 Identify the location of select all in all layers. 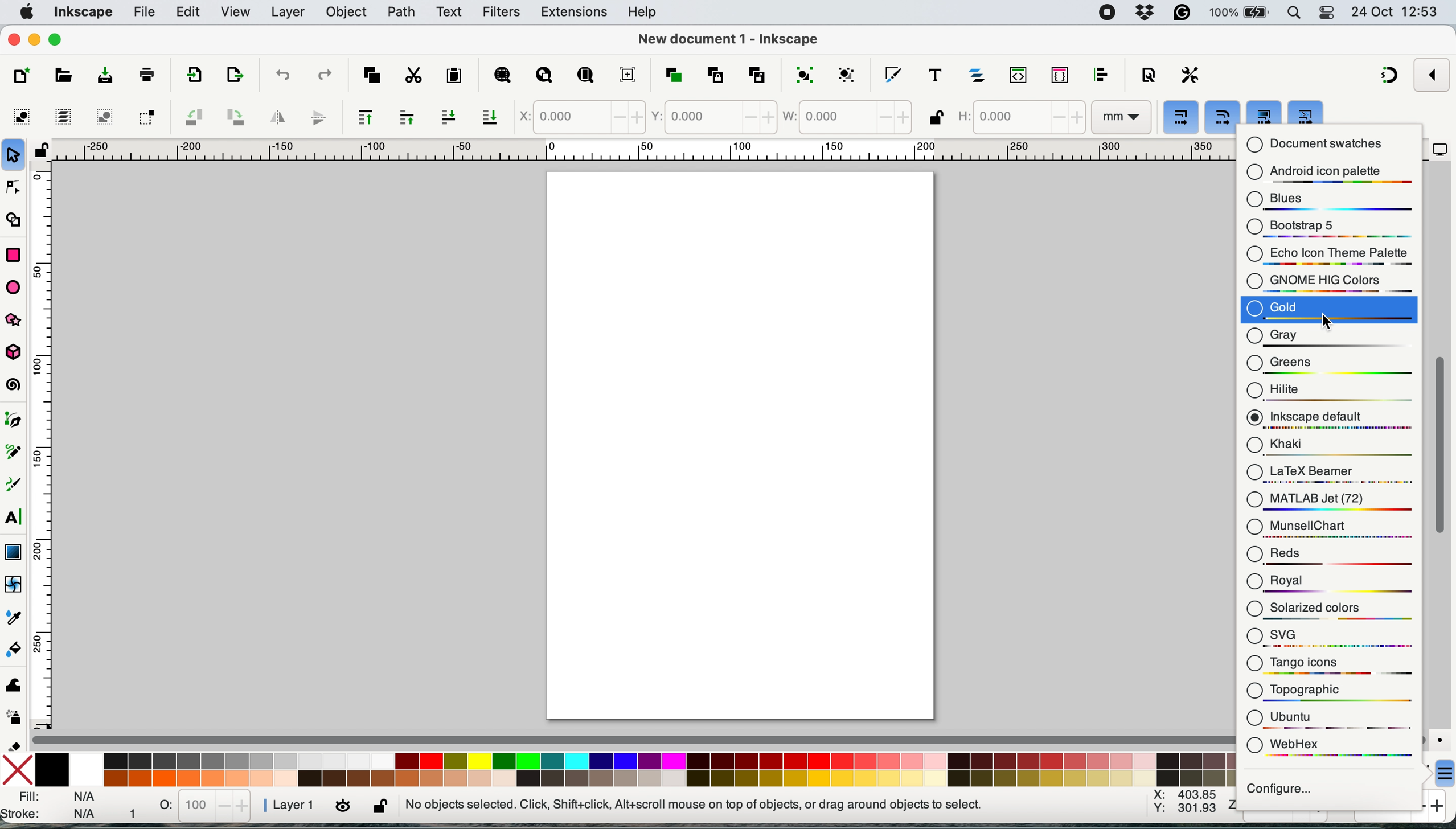
(61, 117).